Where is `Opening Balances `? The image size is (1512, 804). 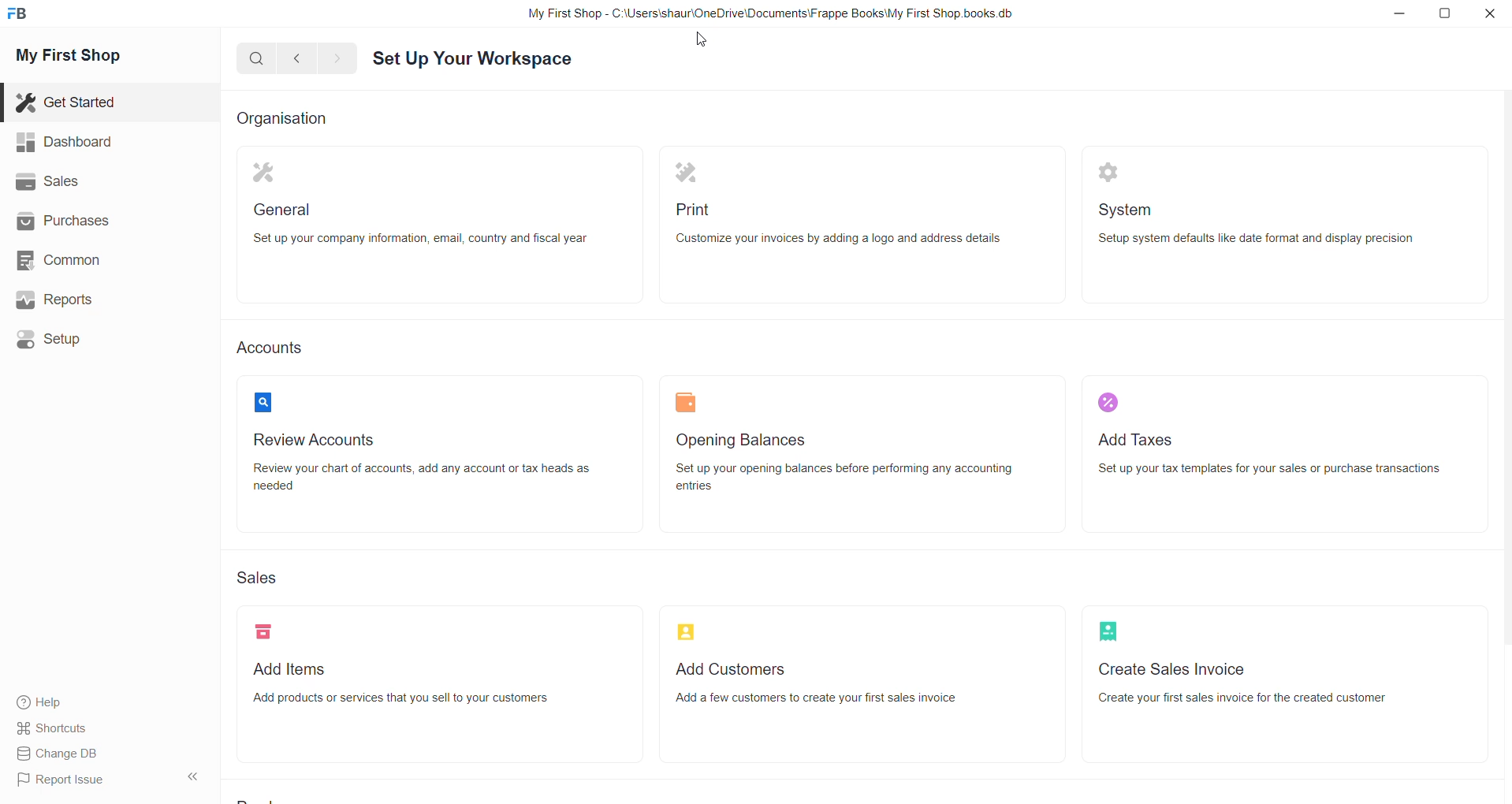
Opening Balances  is located at coordinates (847, 444).